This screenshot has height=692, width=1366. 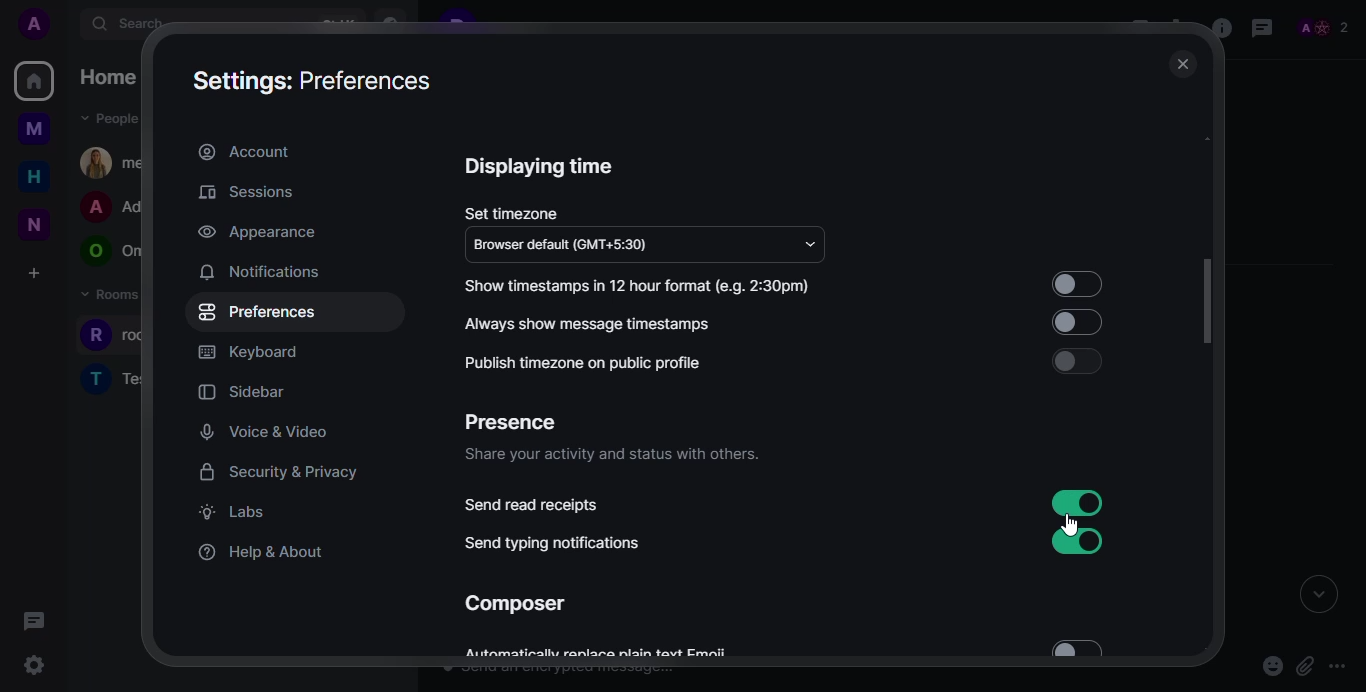 What do you see at coordinates (255, 233) in the screenshot?
I see `appearance` at bounding box center [255, 233].